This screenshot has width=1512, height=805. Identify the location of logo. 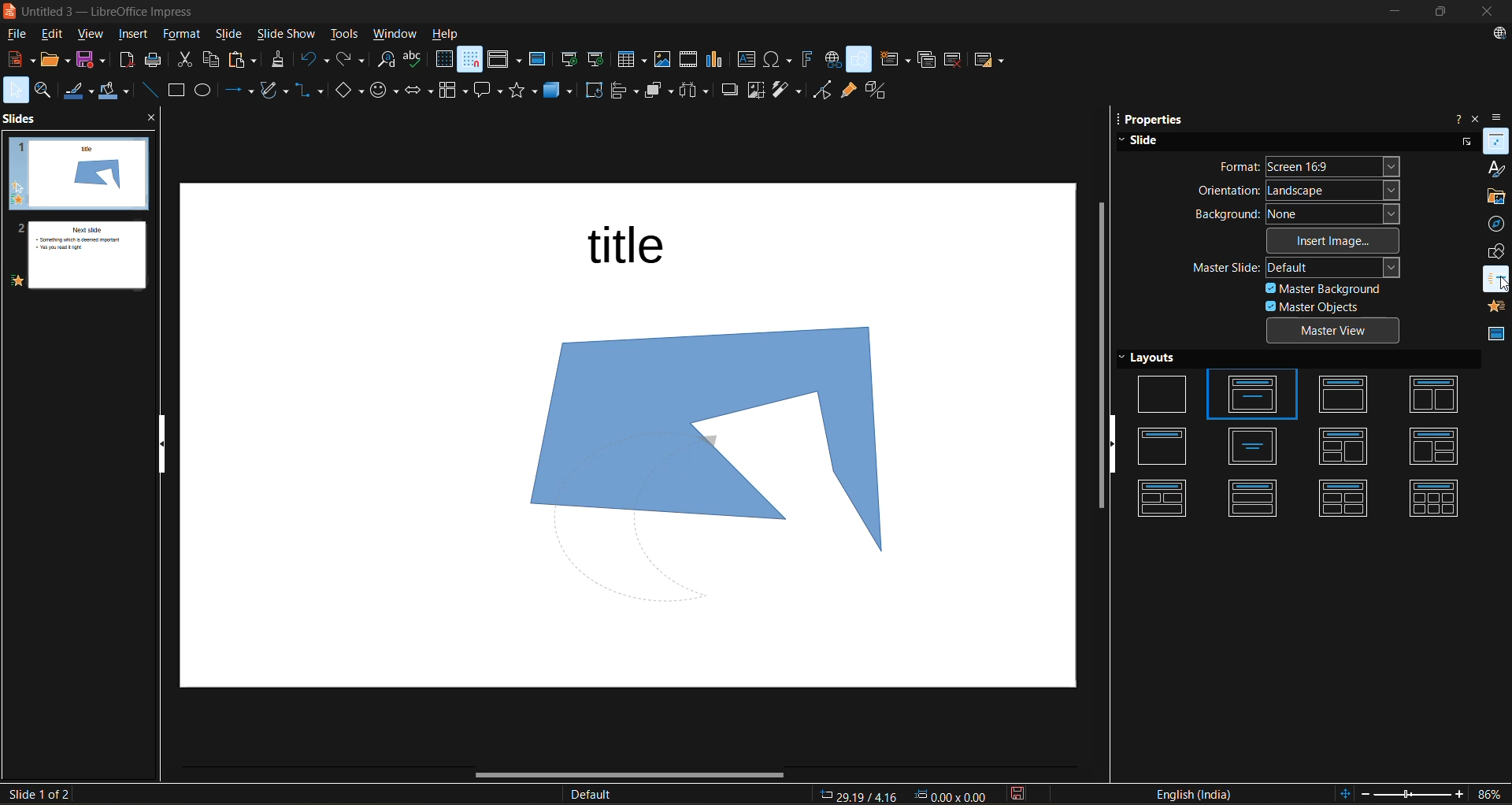
(9, 10).